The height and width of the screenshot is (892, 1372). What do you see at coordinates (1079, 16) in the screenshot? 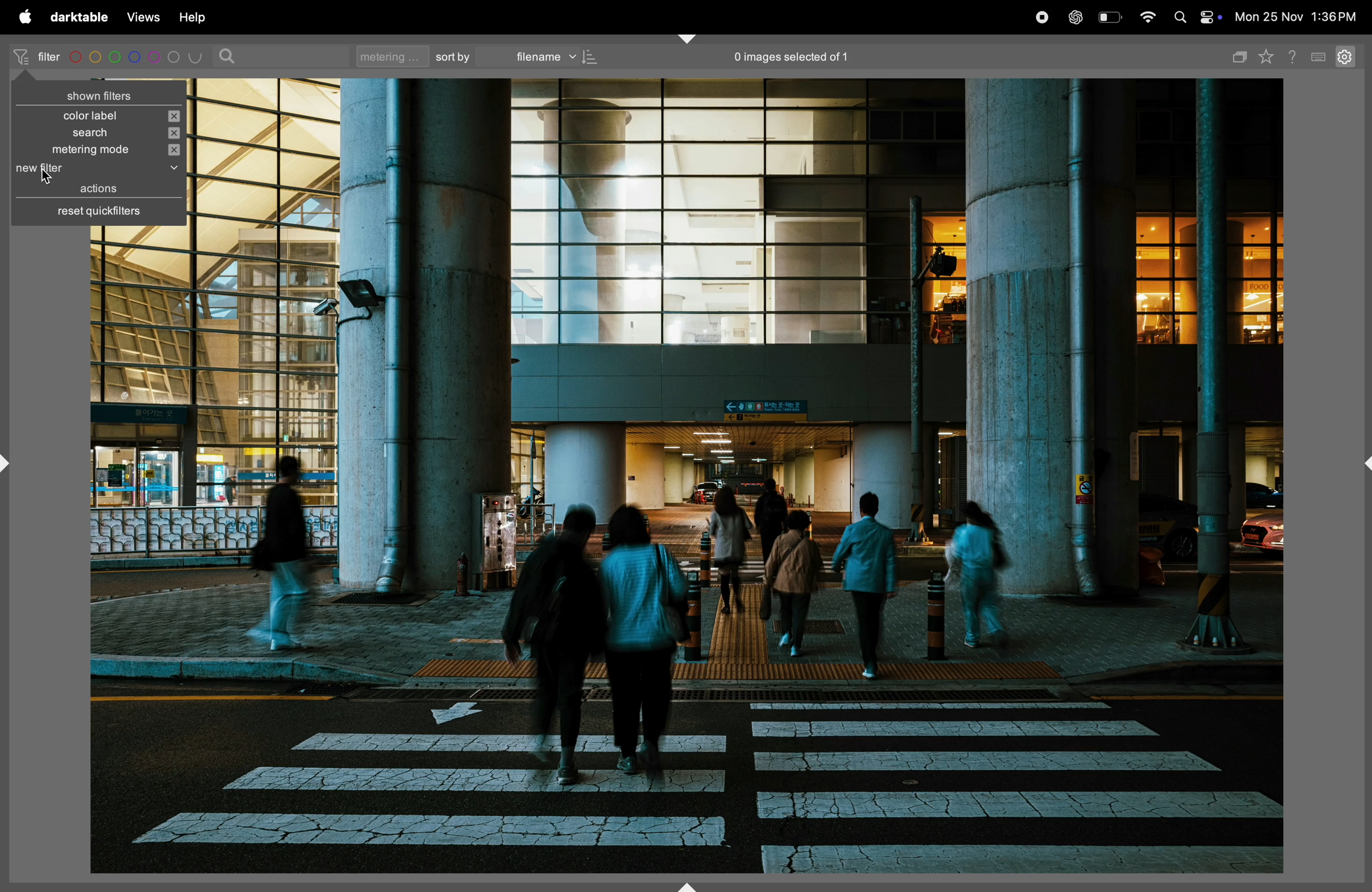
I see `chatgpt` at bounding box center [1079, 16].